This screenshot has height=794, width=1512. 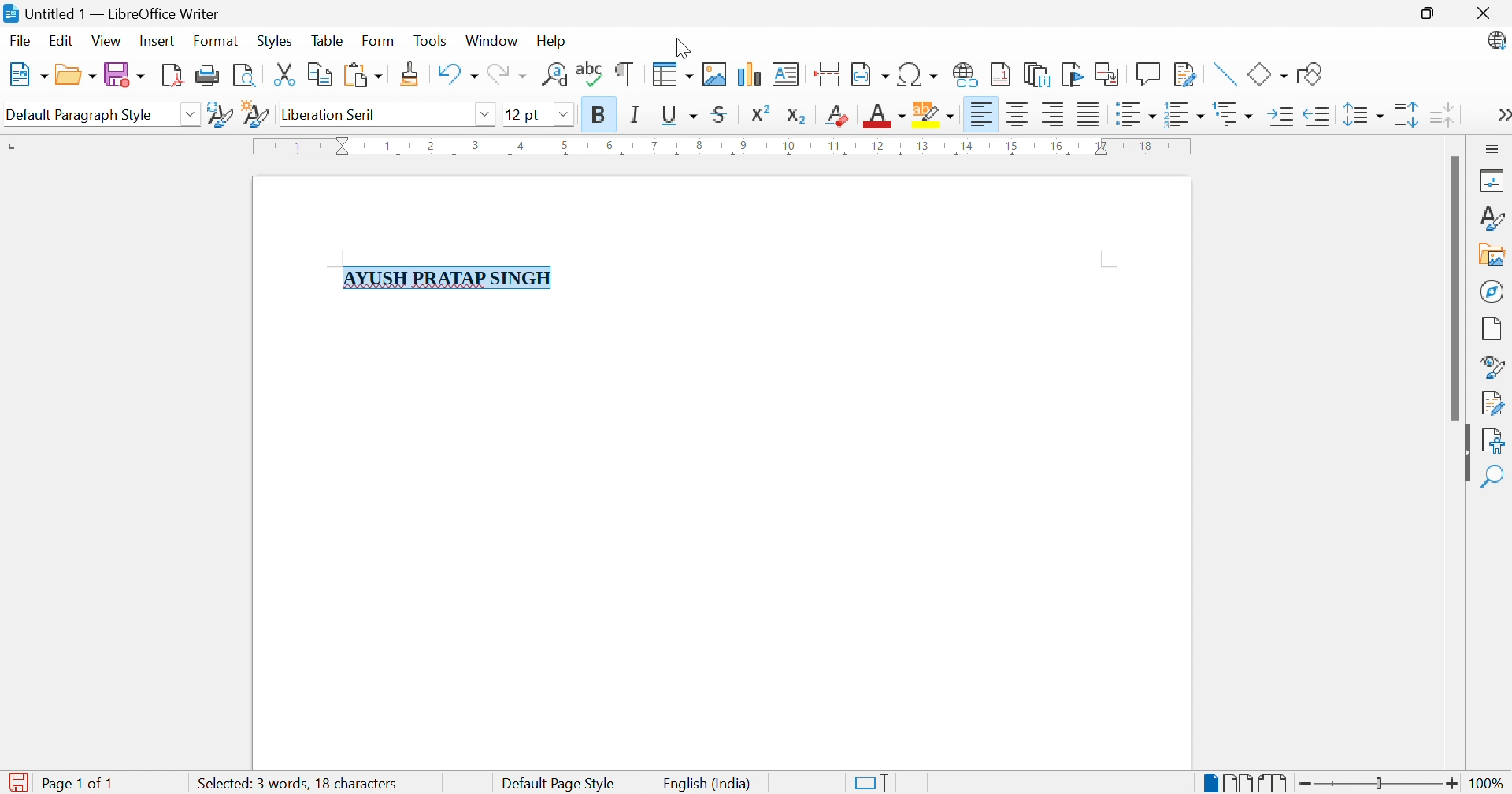 What do you see at coordinates (1405, 113) in the screenshot?
I see `Increase Paragraph Spacing` at bounding box center [1405, 113].